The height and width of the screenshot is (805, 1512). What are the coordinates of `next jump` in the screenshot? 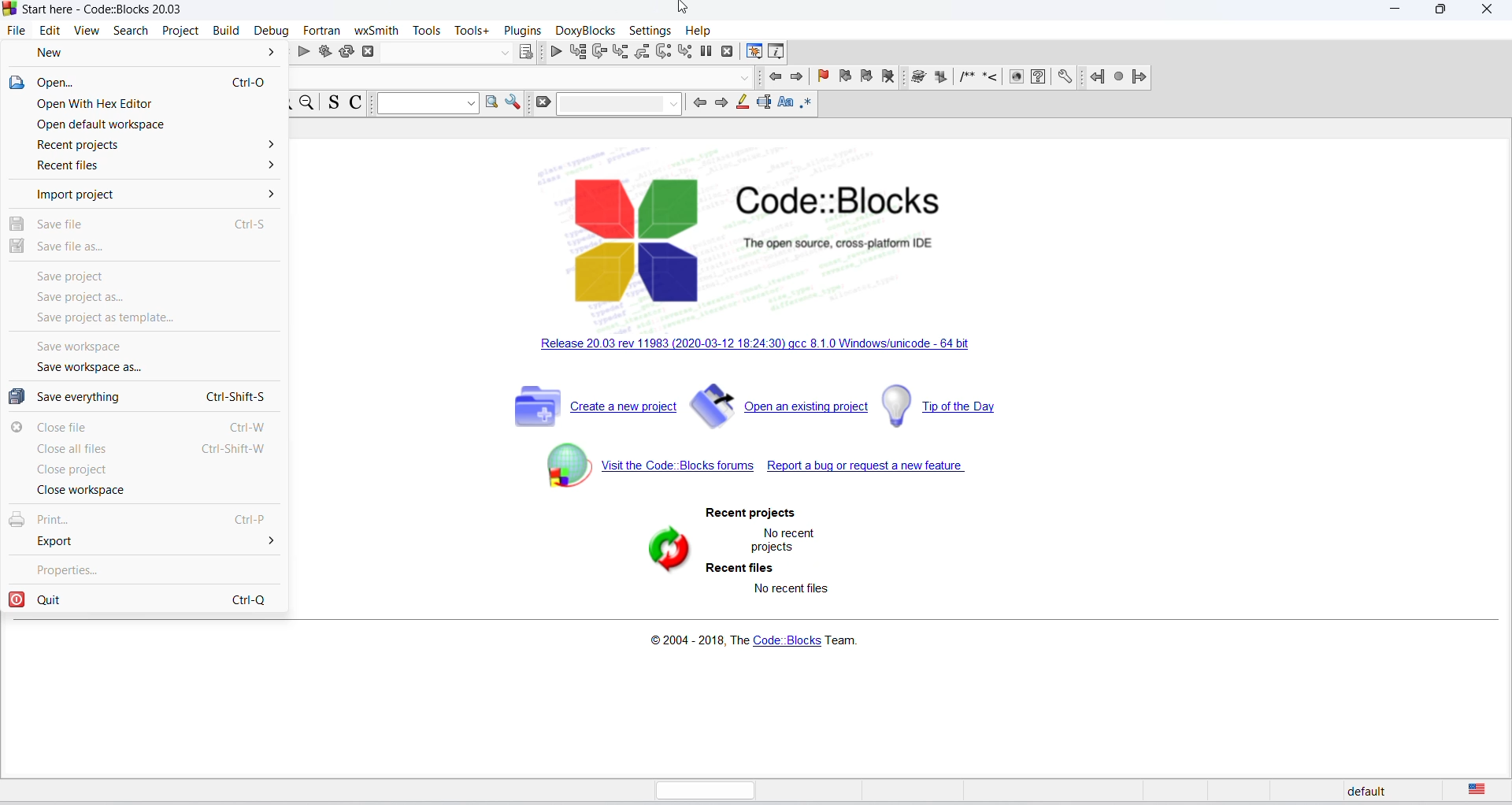 It's located at (1117, 78).